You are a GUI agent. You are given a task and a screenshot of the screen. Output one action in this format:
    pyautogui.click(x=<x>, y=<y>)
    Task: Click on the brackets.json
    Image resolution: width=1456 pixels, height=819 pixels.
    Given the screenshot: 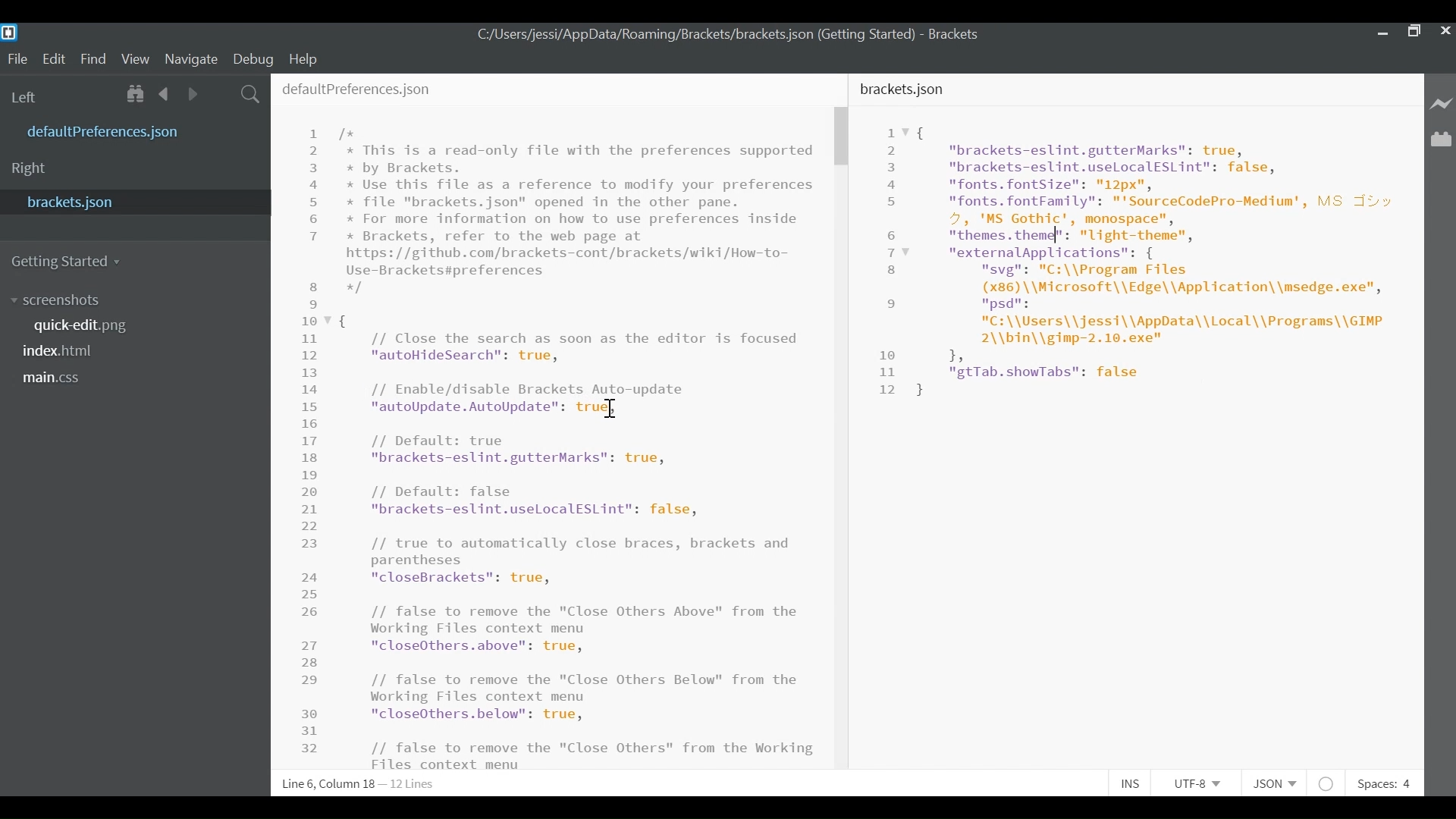 What is the action you would take?
    pyautogui.click(x=131, y=202)
    